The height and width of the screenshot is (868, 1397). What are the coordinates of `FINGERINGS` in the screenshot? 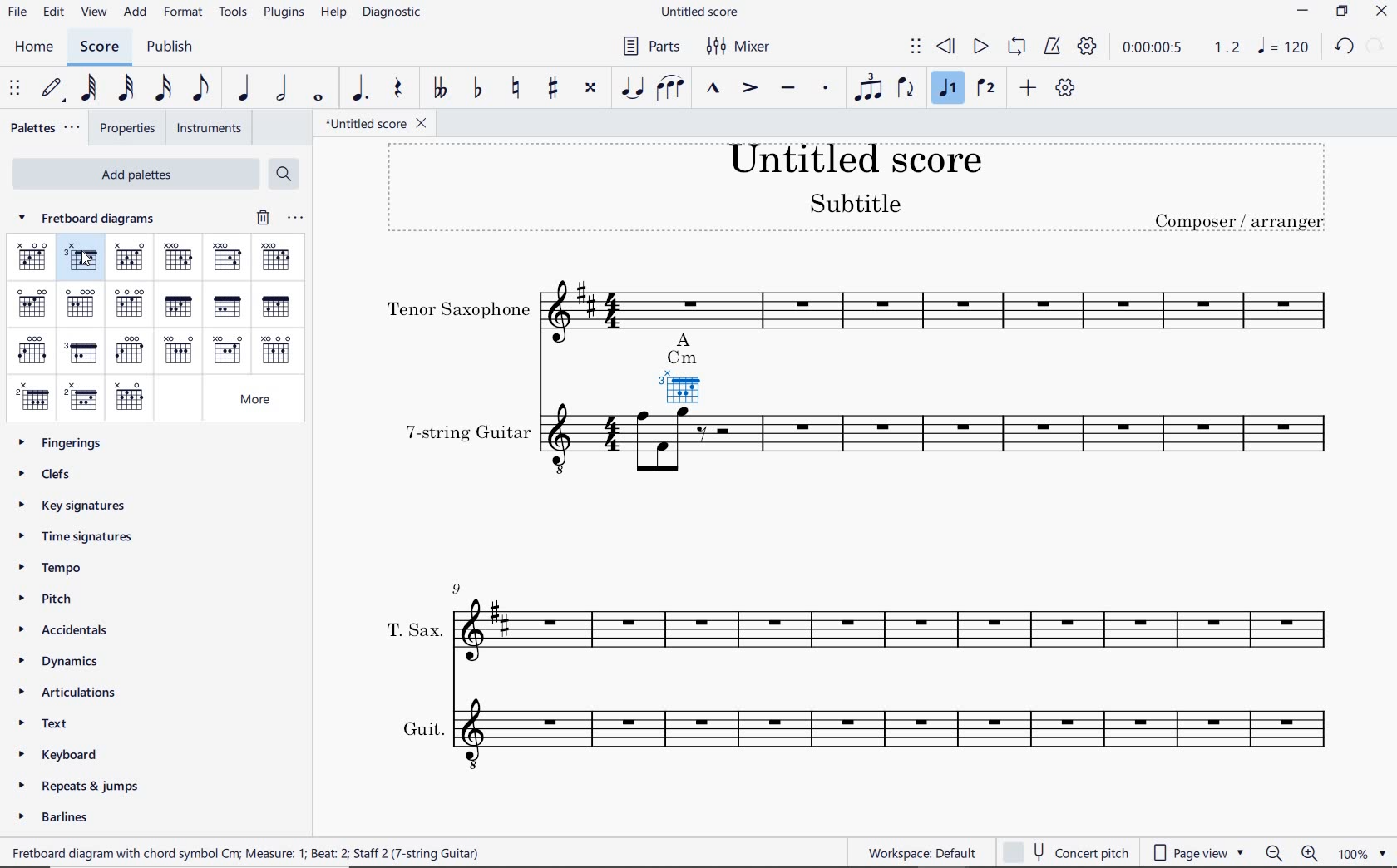 It's located at (65, 442).